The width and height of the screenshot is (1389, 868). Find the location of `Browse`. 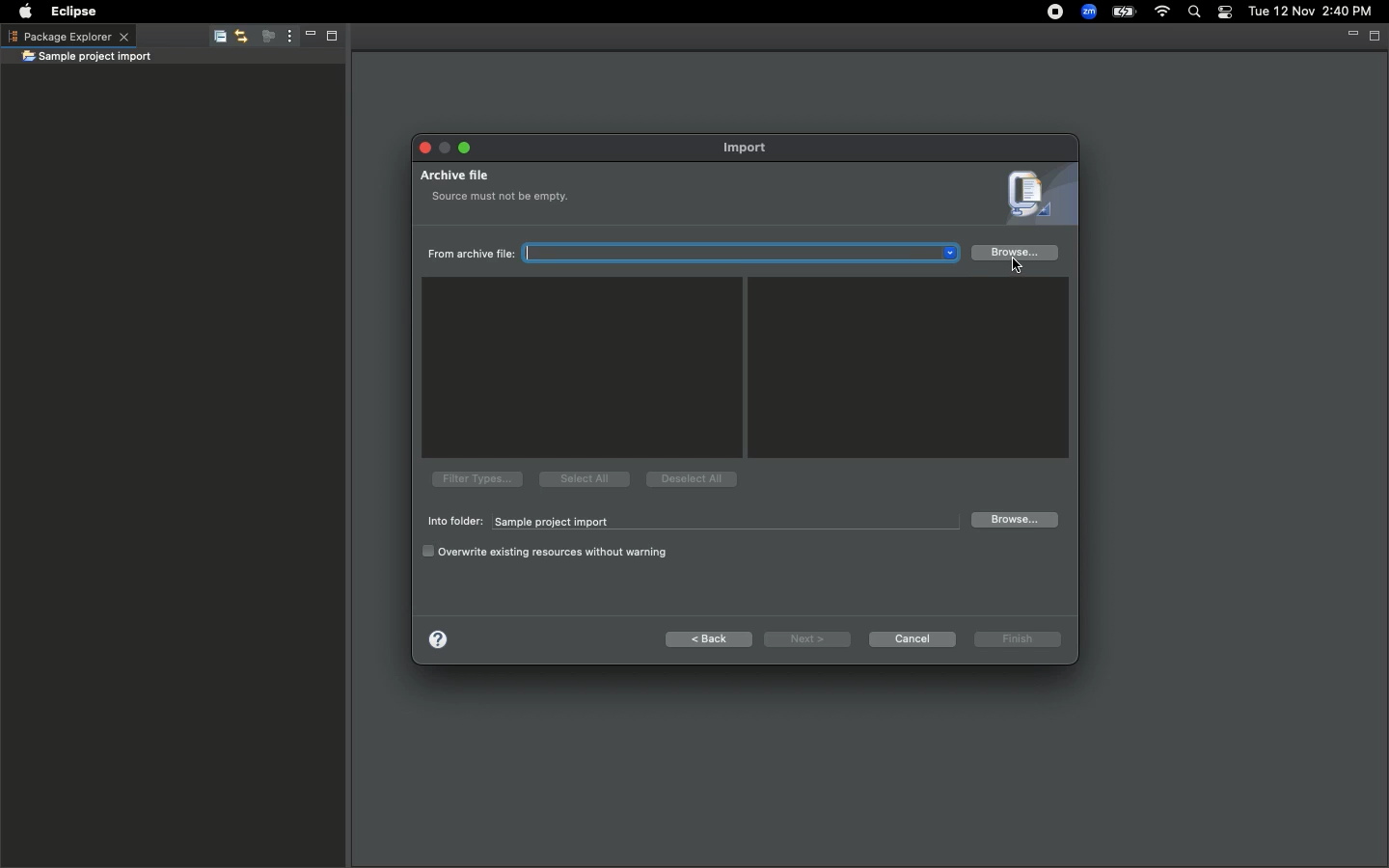

Browse is located at coordinates (1013, 520).